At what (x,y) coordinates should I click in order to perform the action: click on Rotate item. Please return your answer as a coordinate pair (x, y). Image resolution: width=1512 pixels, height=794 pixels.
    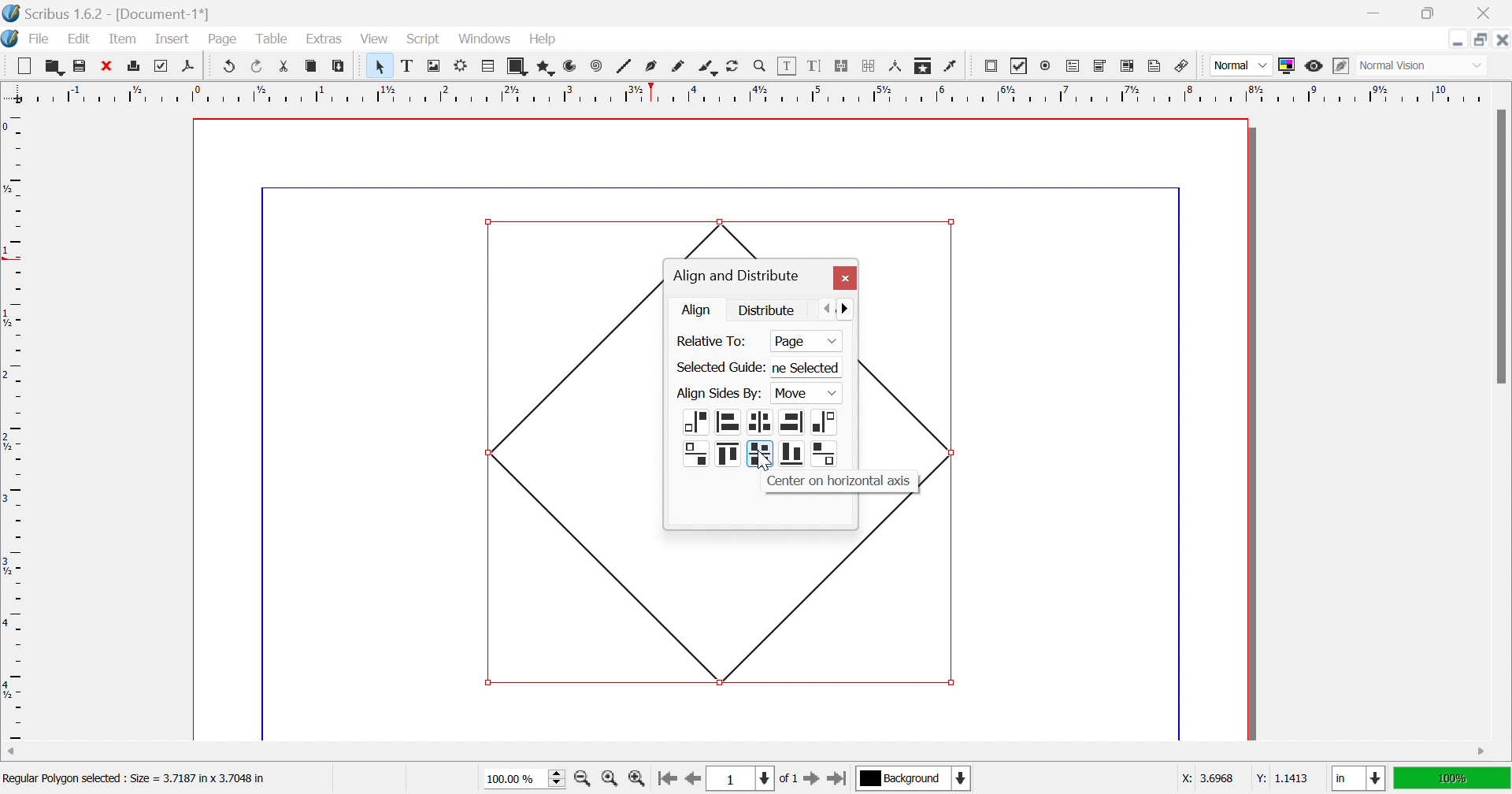
    Looking at the image, I should click on (732, 66).